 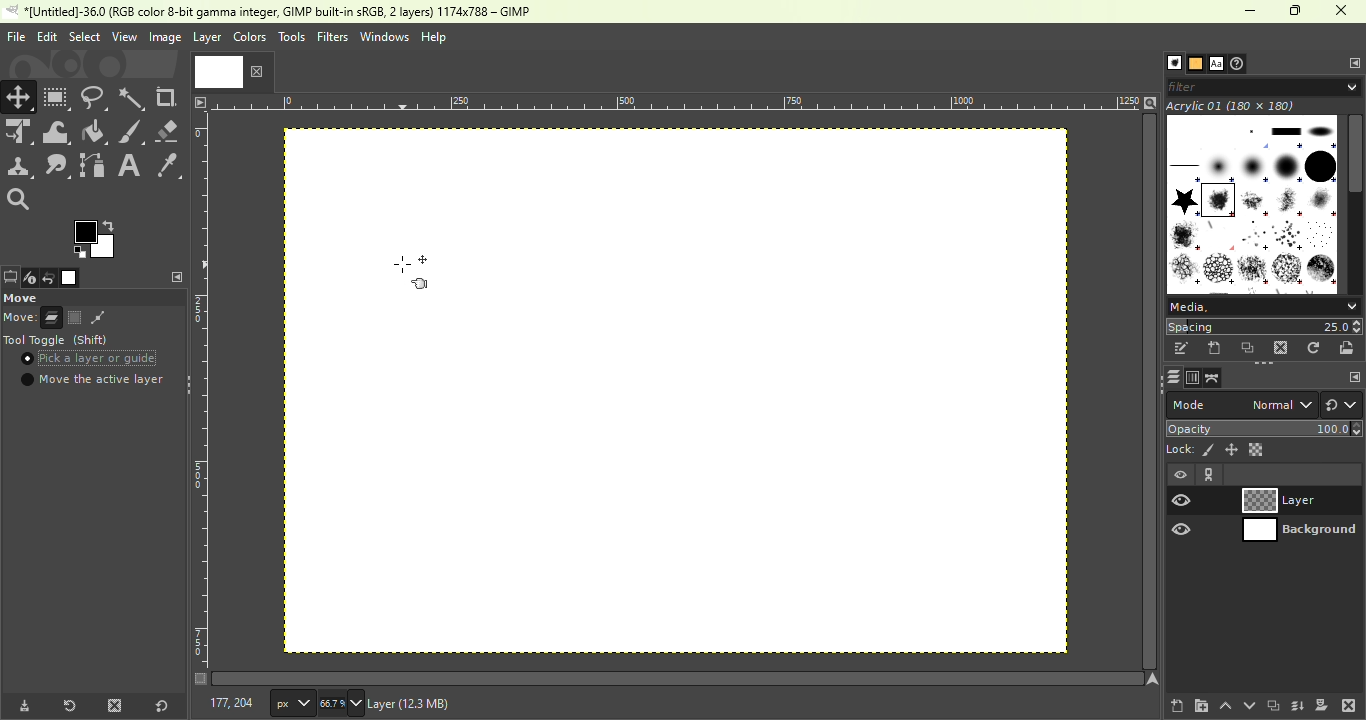 I want to click on Wrap transform, so click(x=56, y=132).